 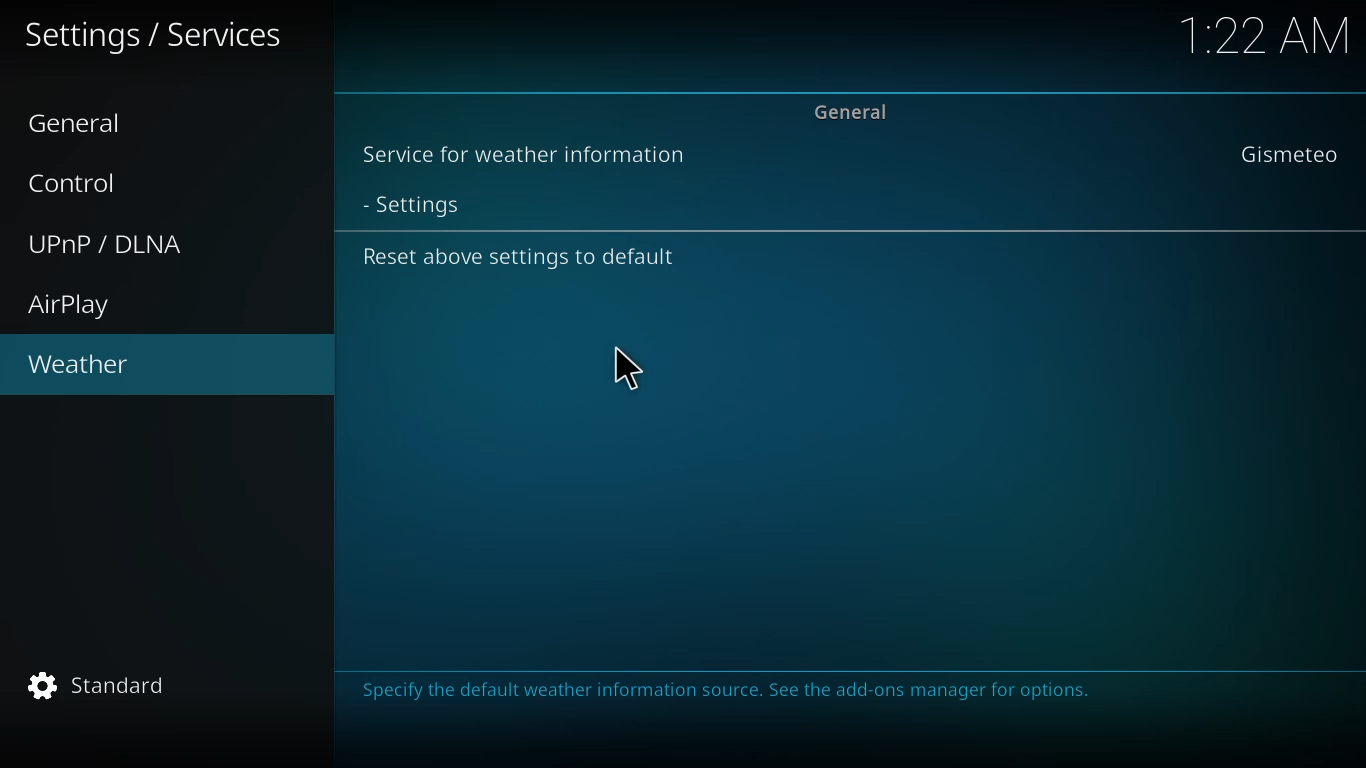 I want to click on time, so click(x=1268, y=34).